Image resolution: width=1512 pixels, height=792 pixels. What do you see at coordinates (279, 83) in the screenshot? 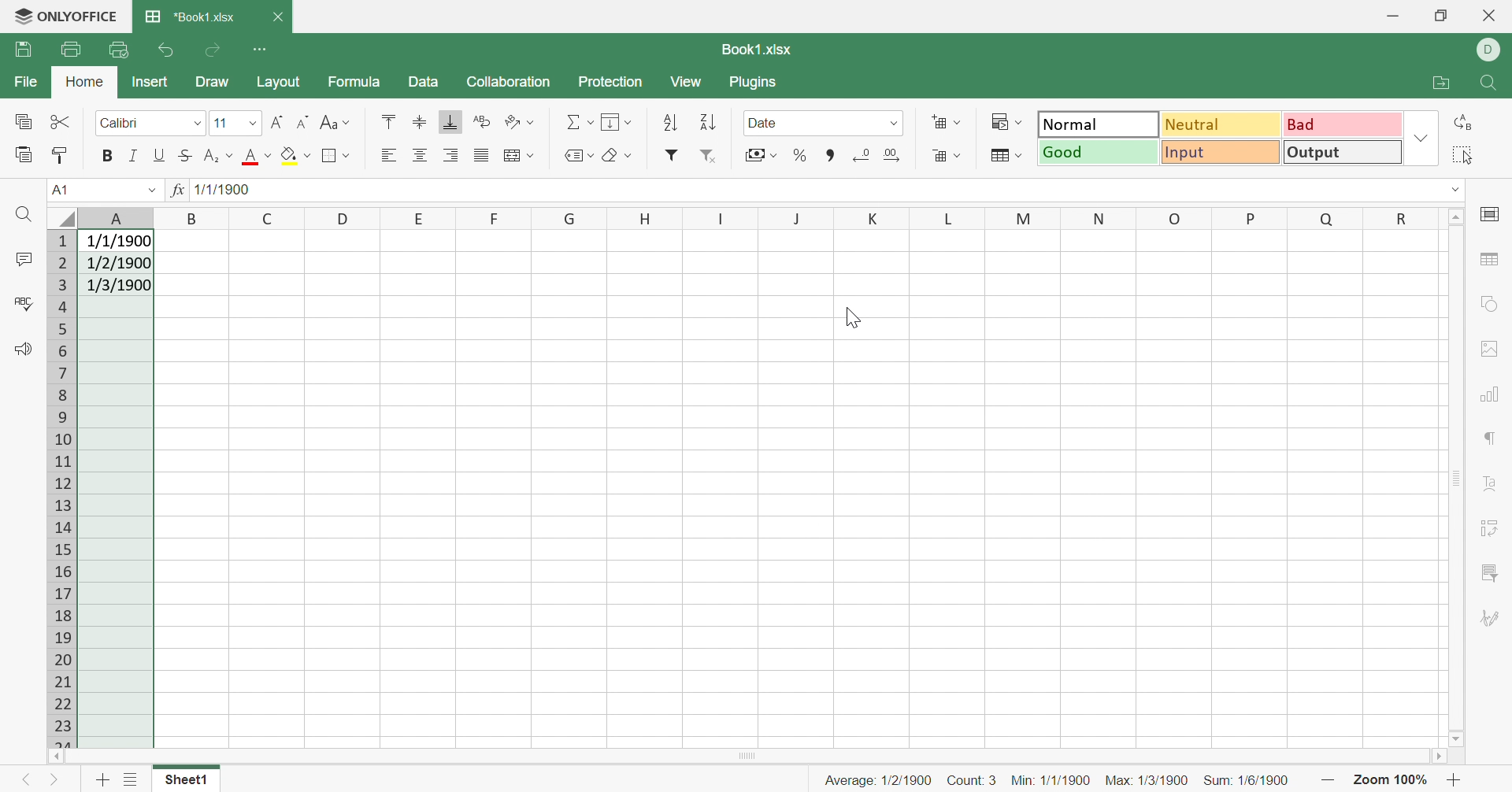
I see `Layout` at bounding box center [279, 83].